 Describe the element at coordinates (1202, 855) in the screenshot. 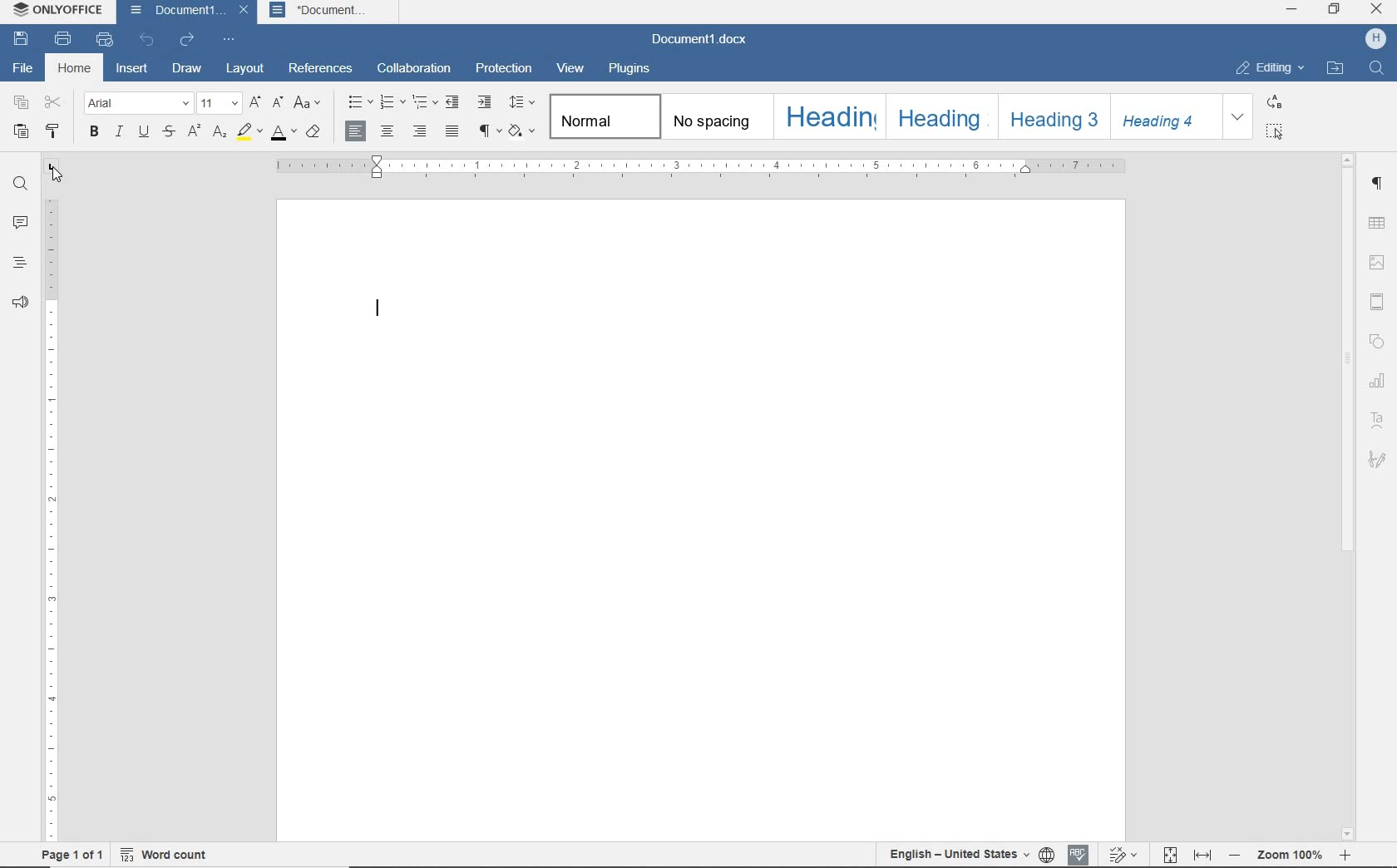

I see `FIT TO WIDTH` at that location.